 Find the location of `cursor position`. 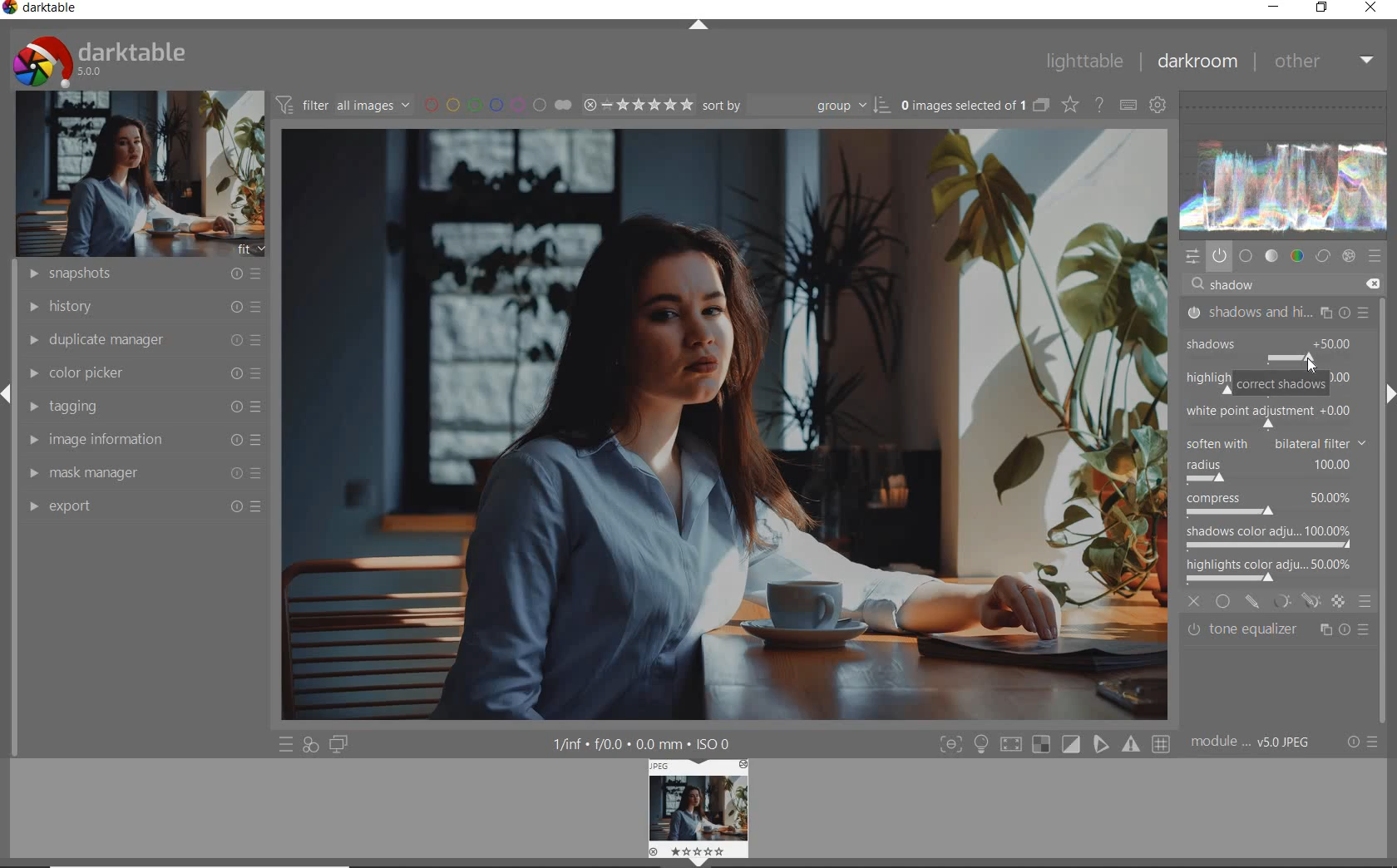

cursor position is located at coordinates (1310, 358).